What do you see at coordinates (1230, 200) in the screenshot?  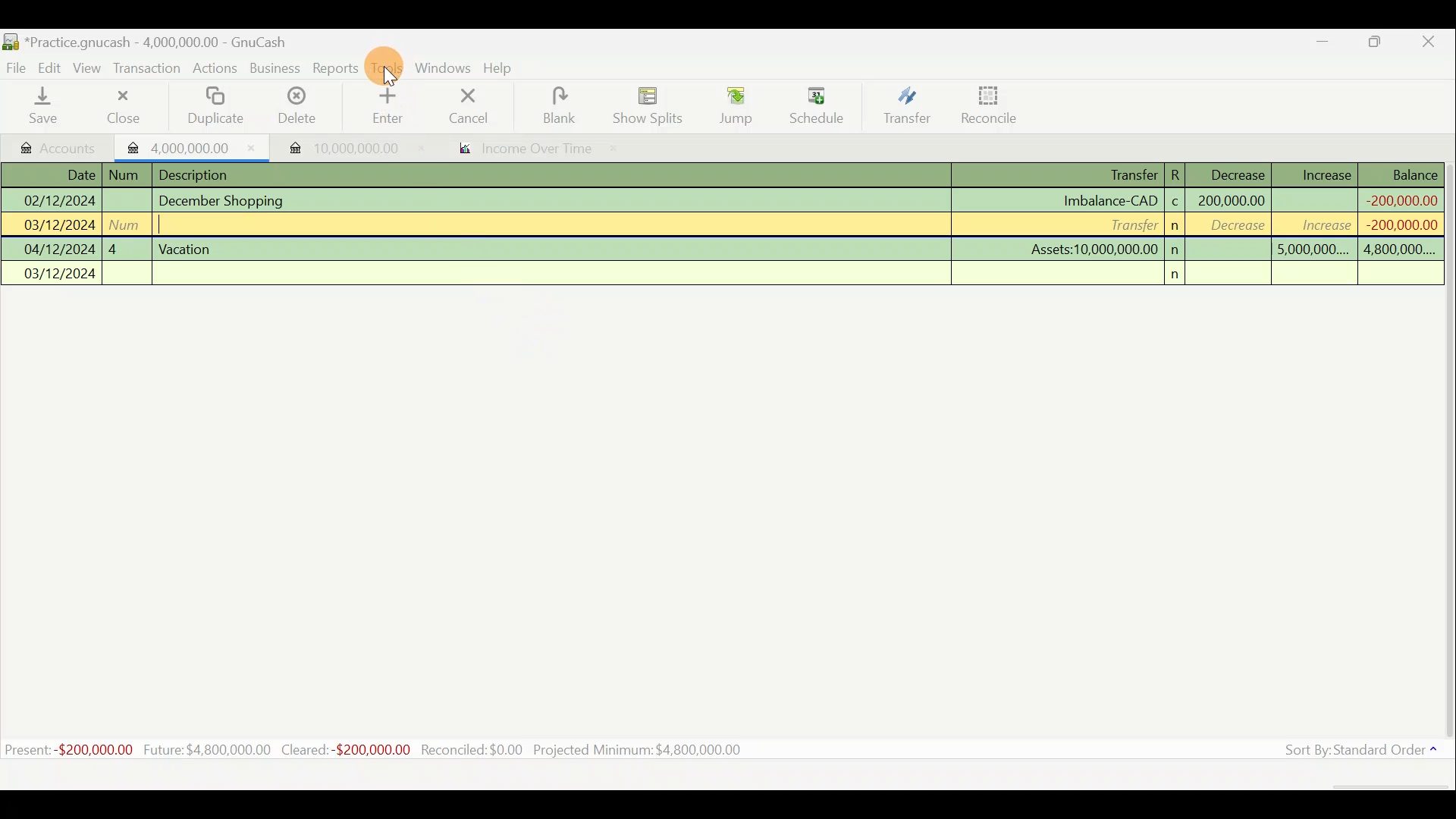 I see `200,000,000` at bounding box center [1230, 200].